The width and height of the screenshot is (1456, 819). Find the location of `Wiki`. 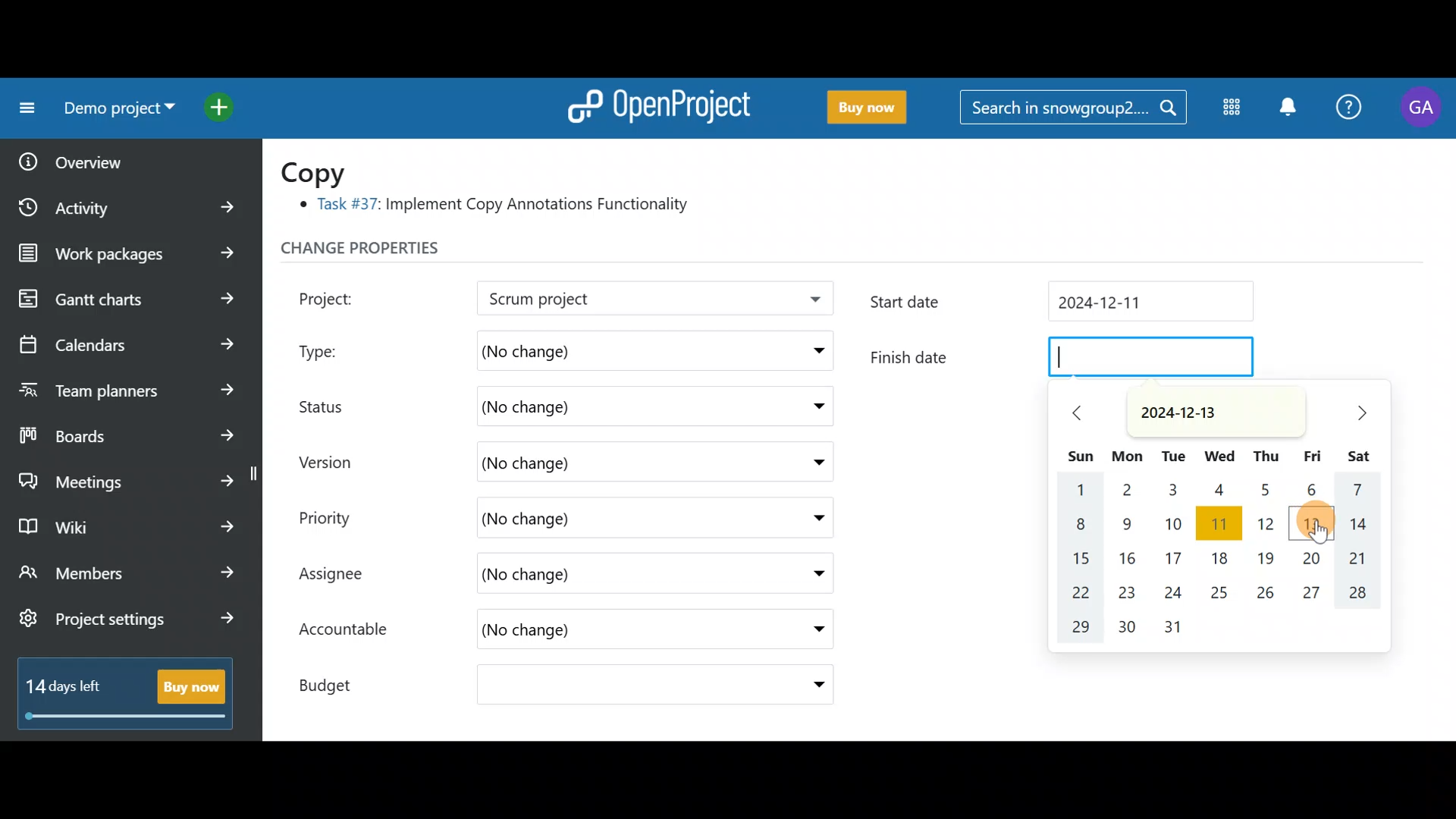

Wiki is located at coordinates (124, 522).